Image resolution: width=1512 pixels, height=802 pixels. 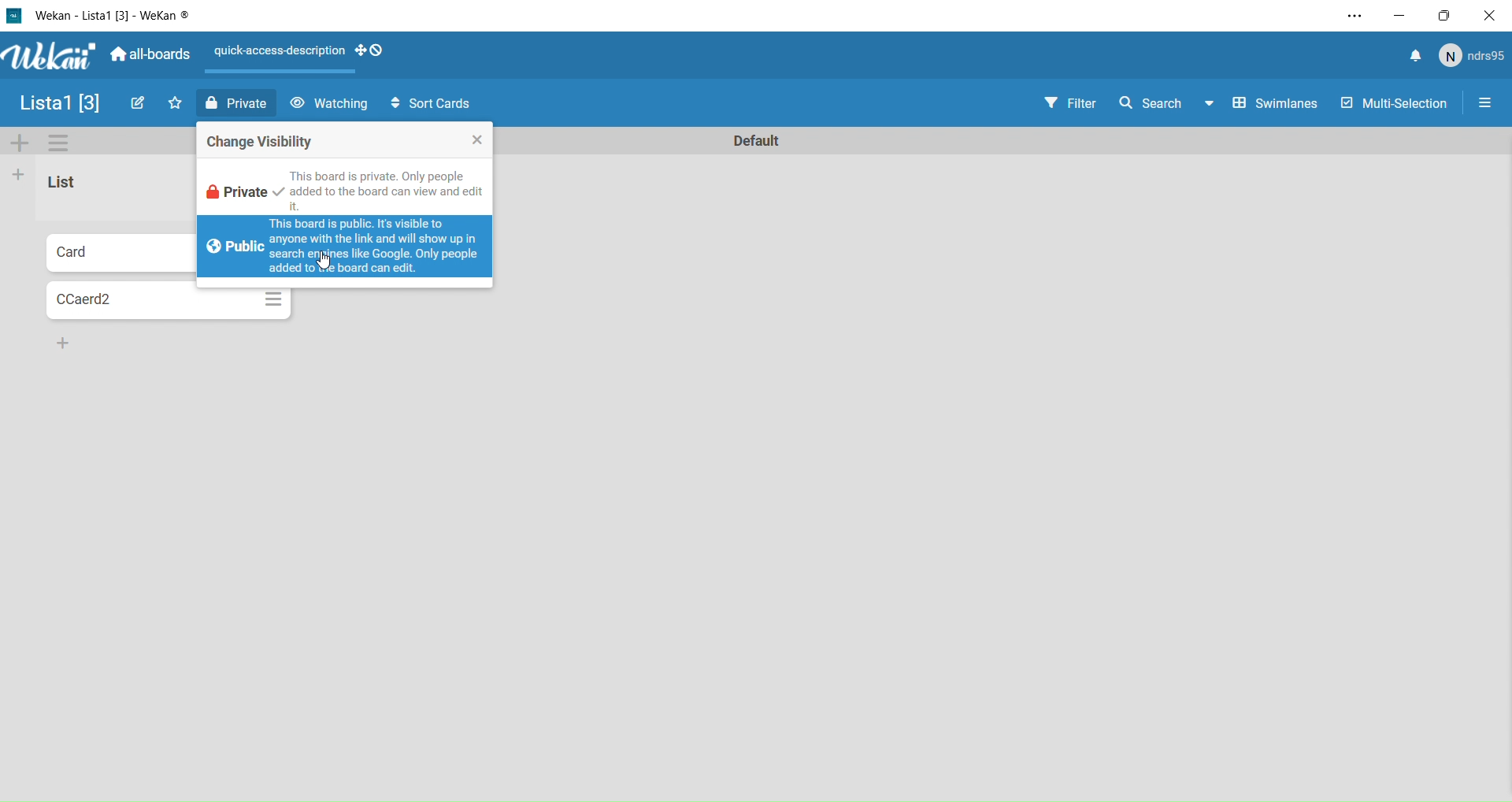 I want to click on Add, so click(x=21, y=144).